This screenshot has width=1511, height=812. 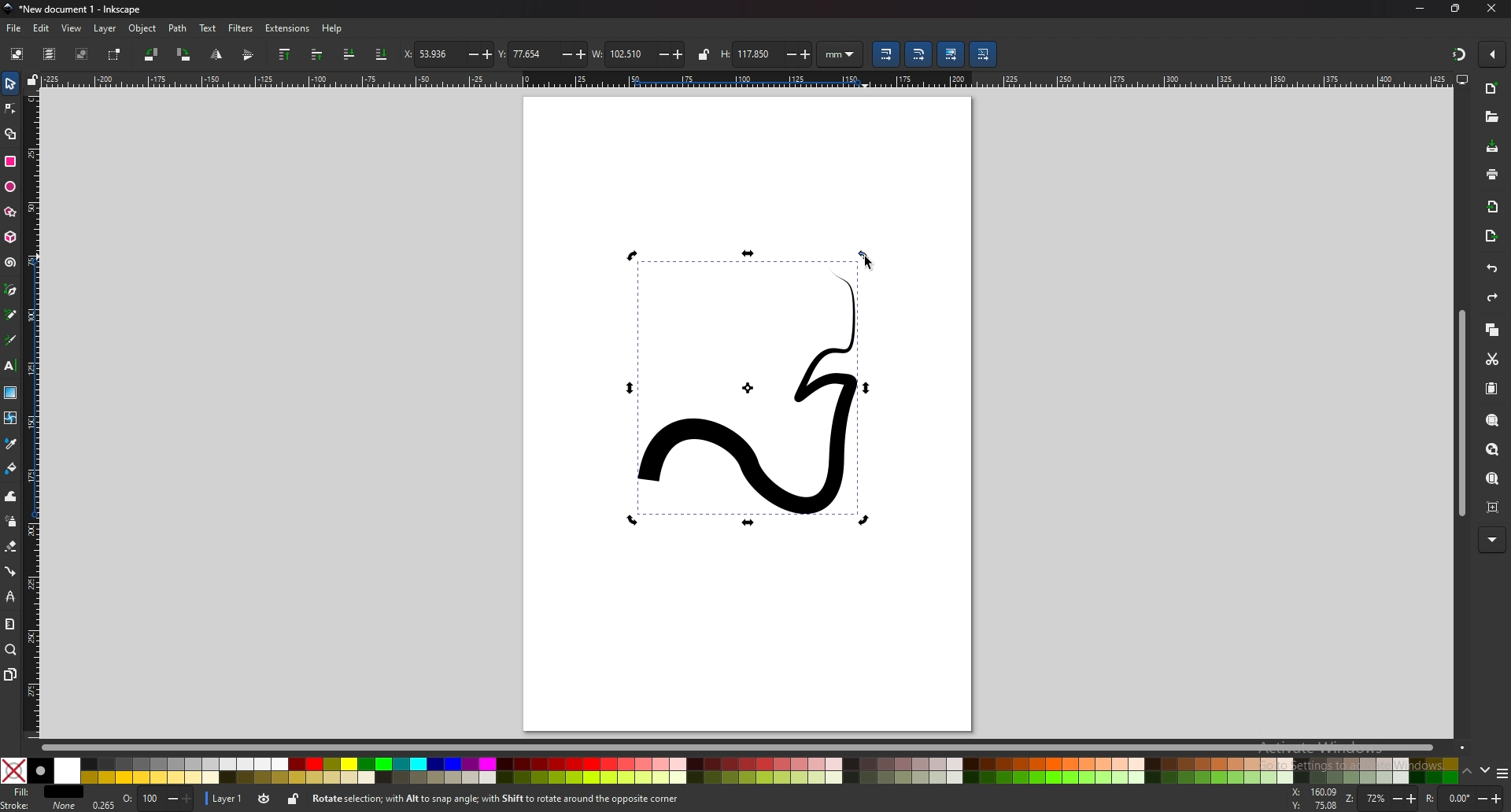 What do you see at coordinates (1493, 90) in the screenshot?
I see `new` at bounding box center [1493, 90].